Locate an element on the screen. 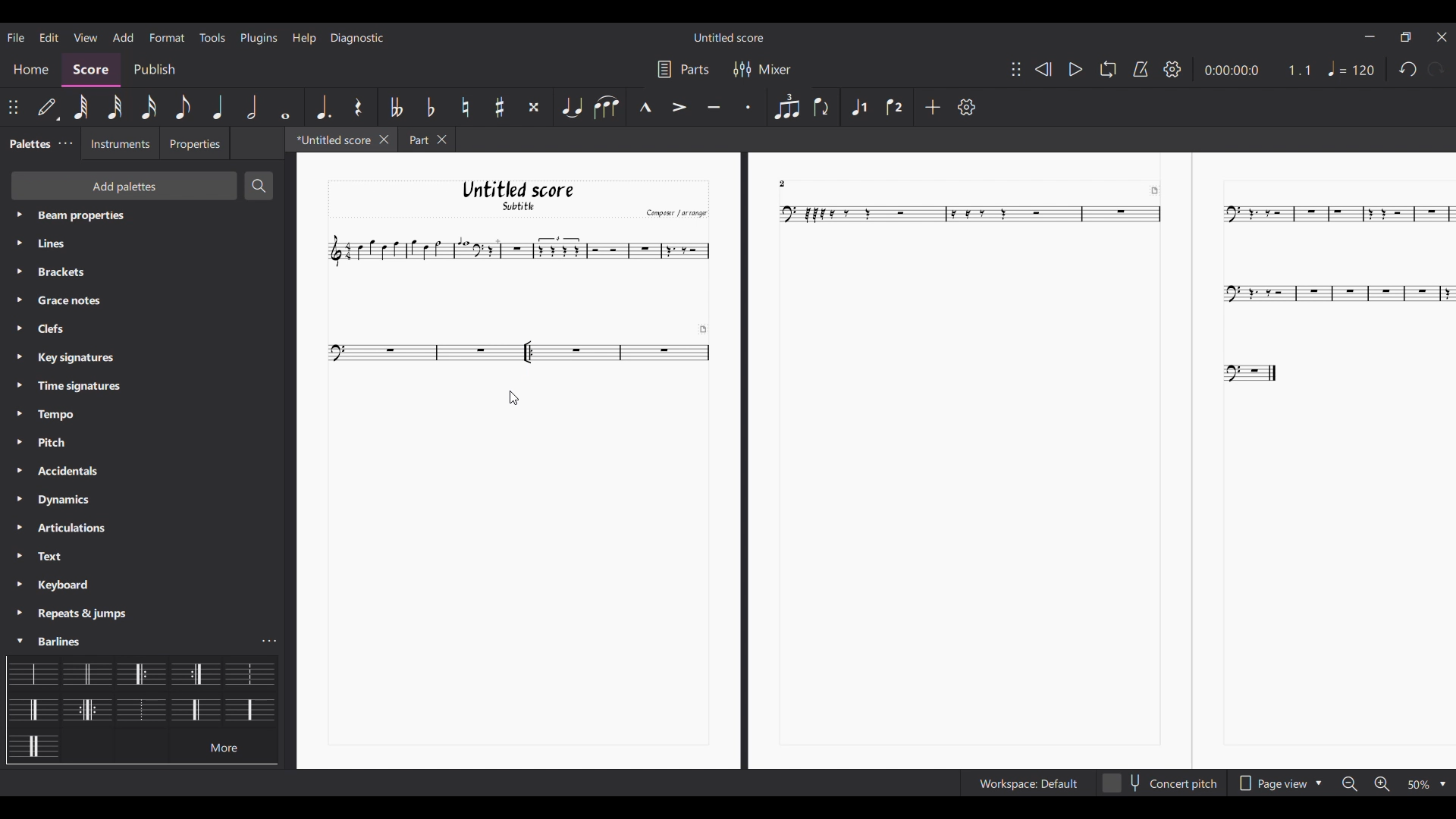 The width and height of the screenshot is (1456, 819). Palette settings is located at coordinates (55, 470).